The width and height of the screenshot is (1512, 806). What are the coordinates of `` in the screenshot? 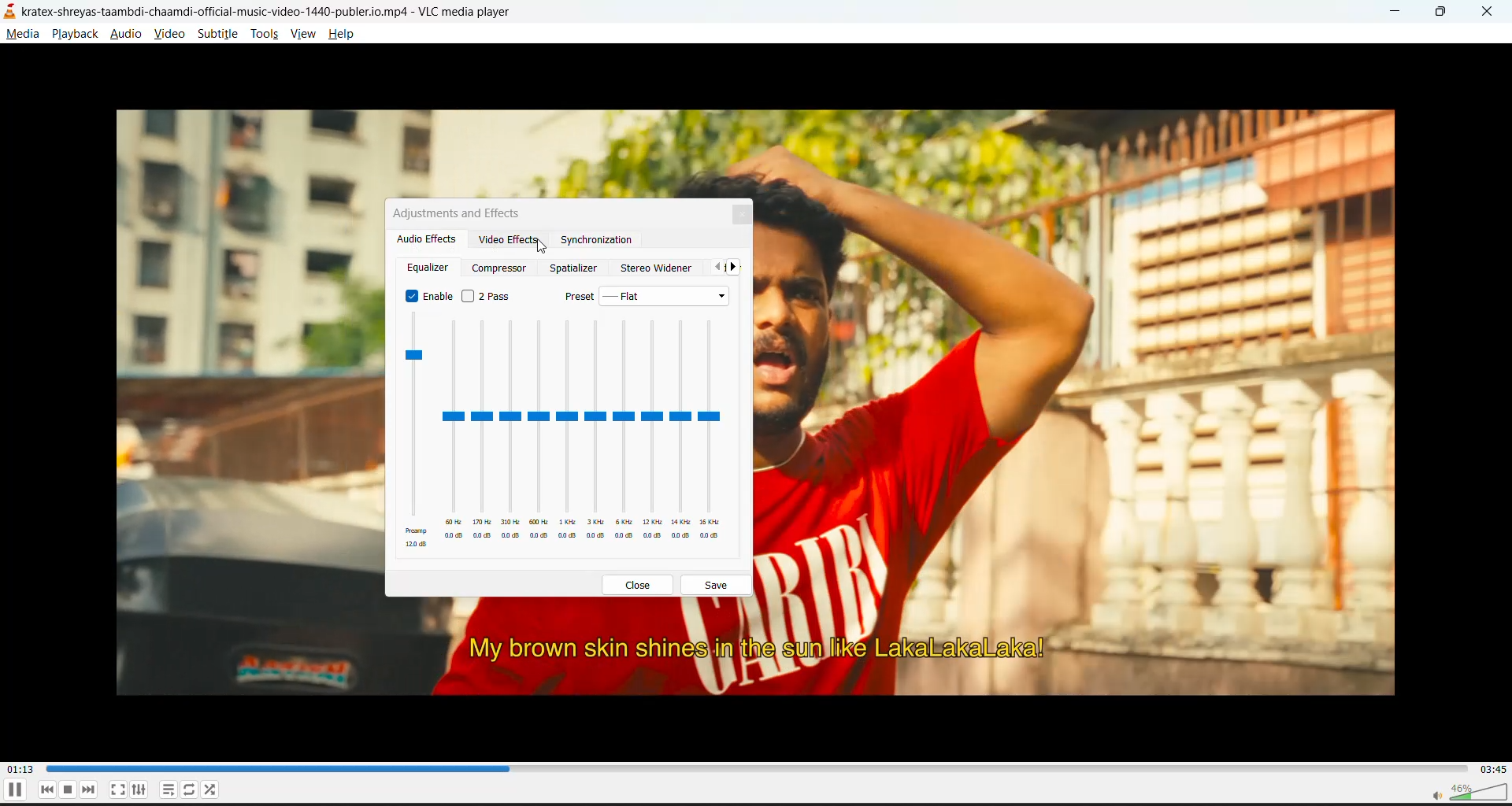 It's located at (594, 434).